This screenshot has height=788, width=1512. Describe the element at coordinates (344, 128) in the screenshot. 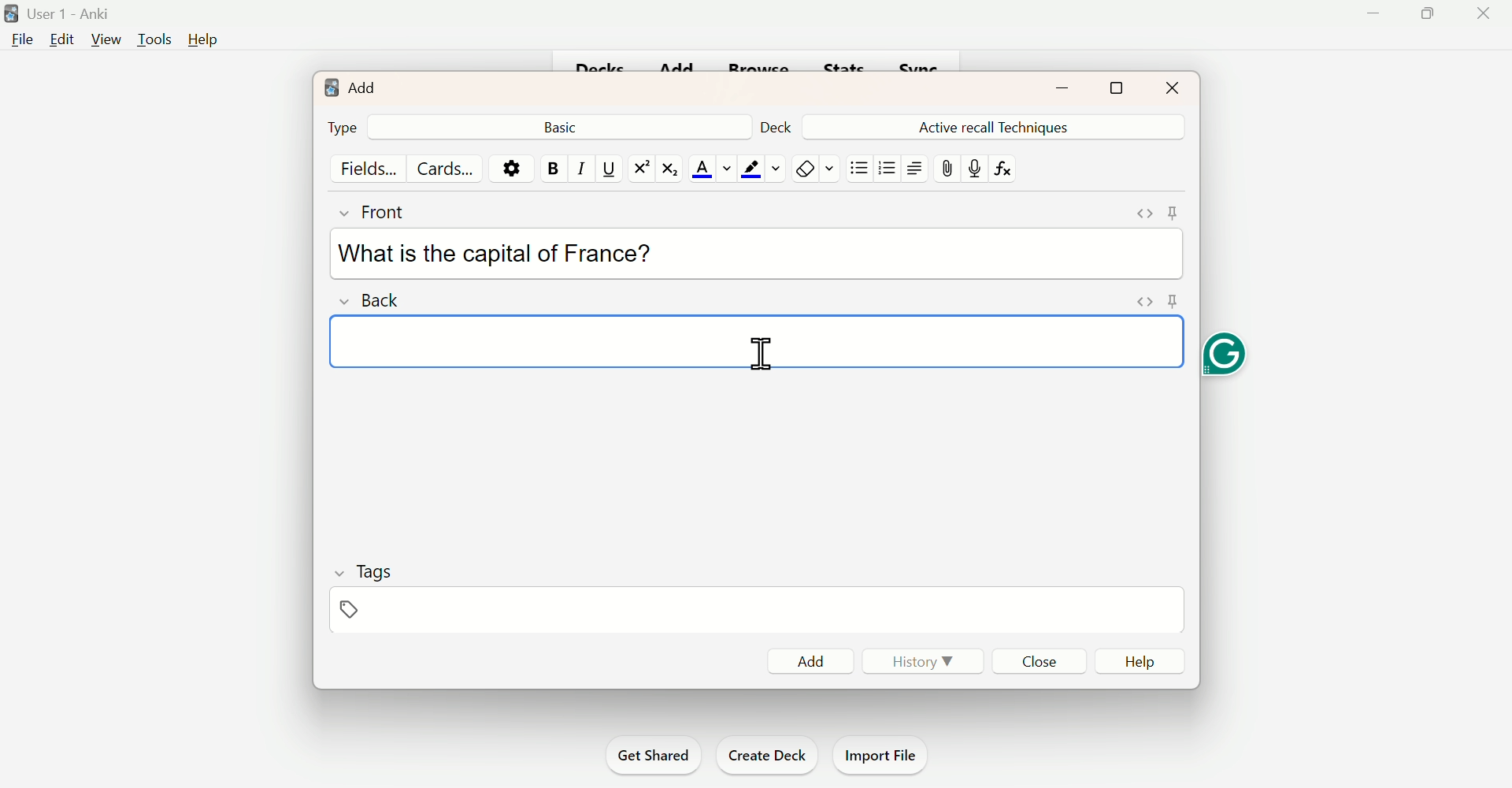

I see `Type` at that location.